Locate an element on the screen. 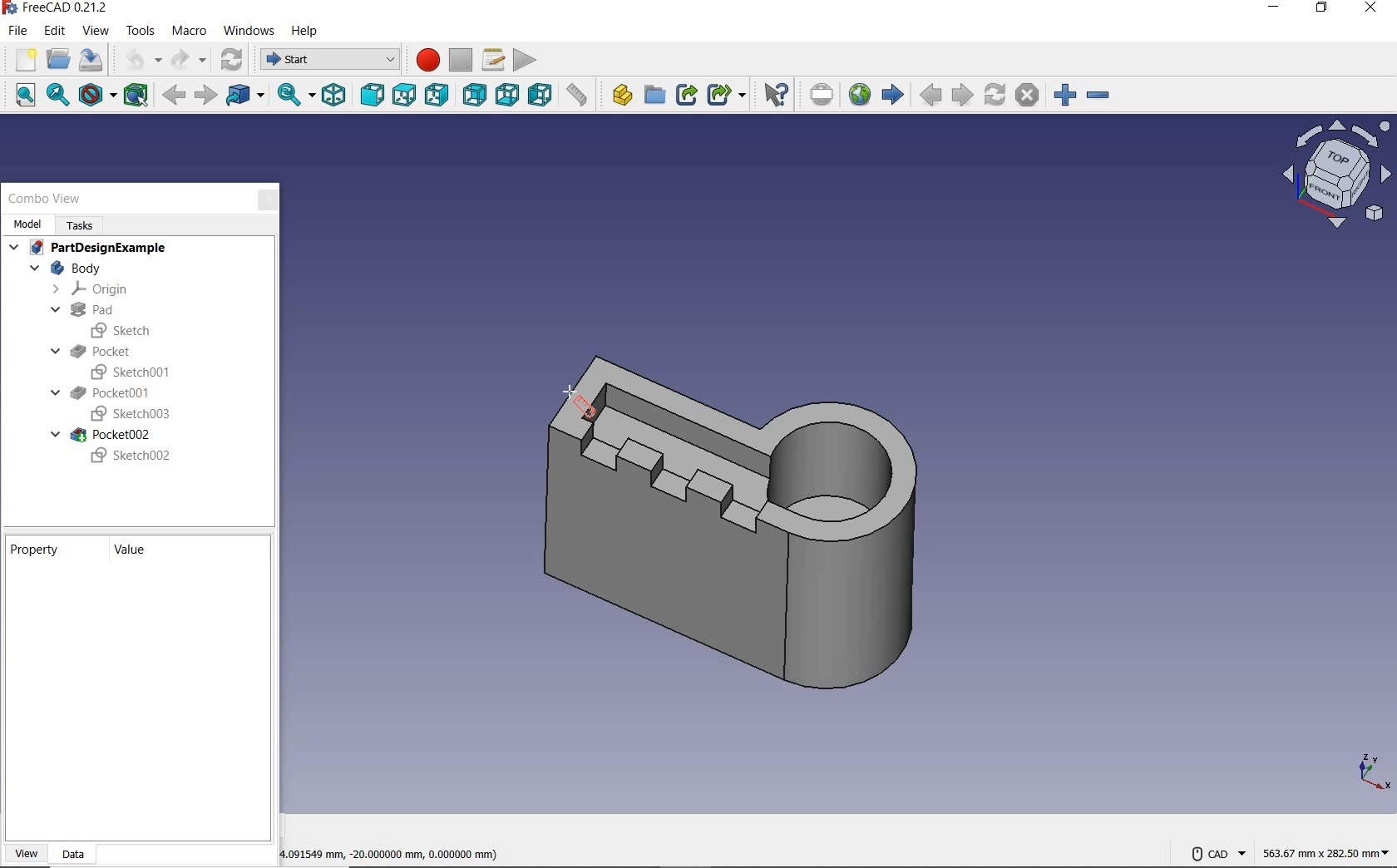  draw style is located at coordinates (96, 96).